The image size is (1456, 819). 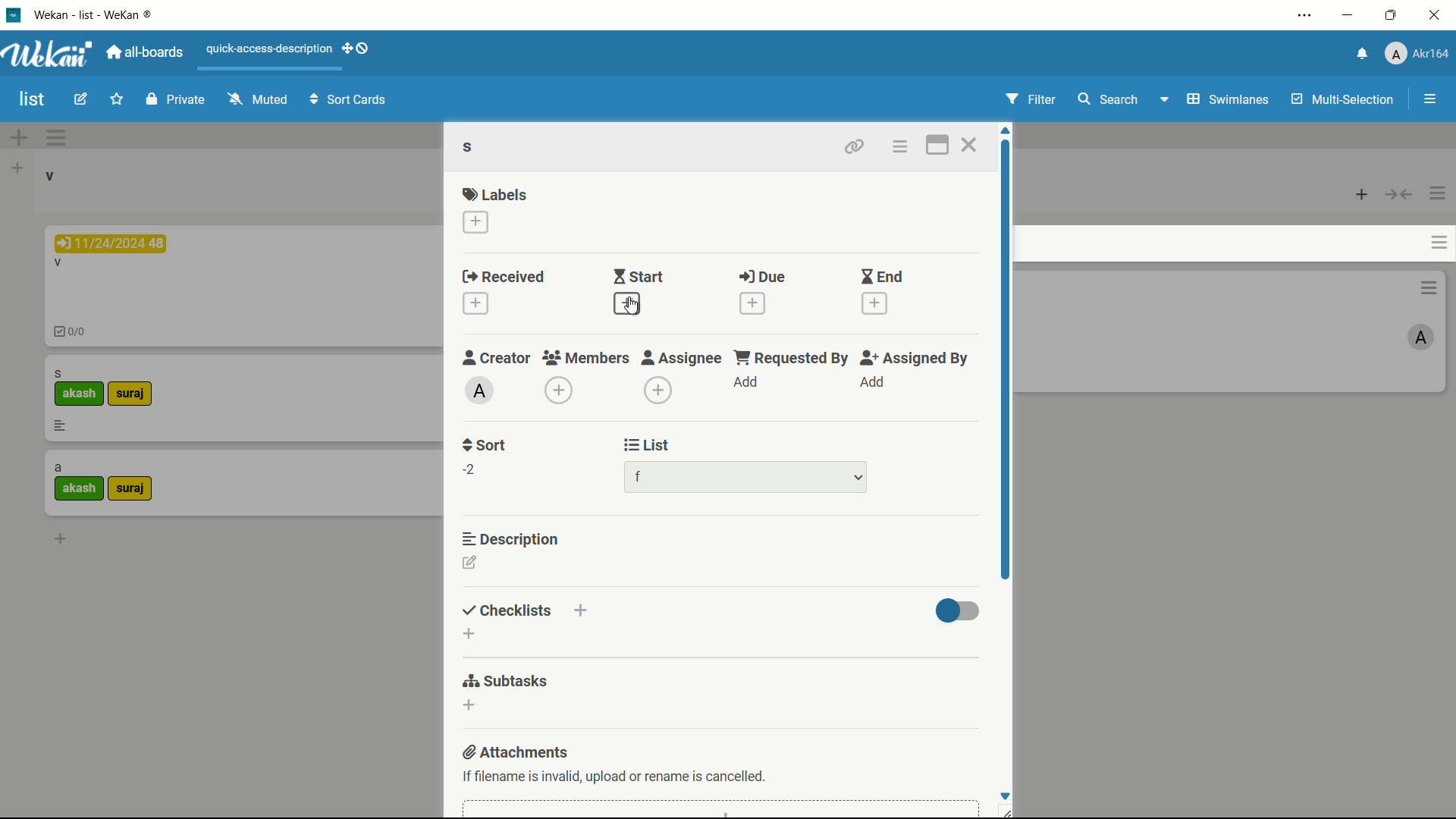 What do you see at coordinates (111, 243) in the screenshot?
I see `due date` at bounding box center [111, 243].